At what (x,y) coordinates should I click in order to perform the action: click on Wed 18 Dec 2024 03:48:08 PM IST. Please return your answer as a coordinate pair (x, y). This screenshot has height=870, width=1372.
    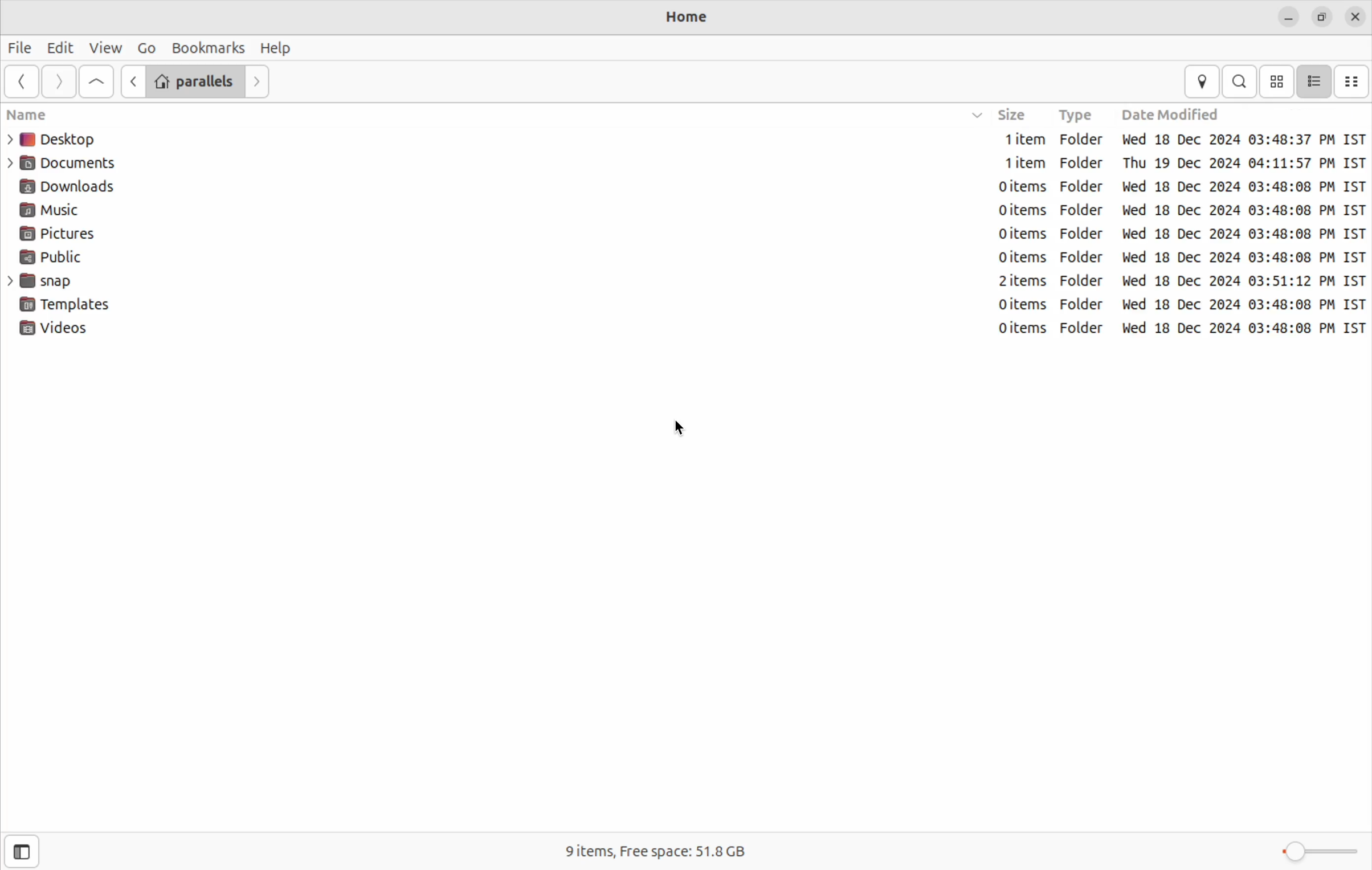
    Looking at the image, I should click on (1241, 305).